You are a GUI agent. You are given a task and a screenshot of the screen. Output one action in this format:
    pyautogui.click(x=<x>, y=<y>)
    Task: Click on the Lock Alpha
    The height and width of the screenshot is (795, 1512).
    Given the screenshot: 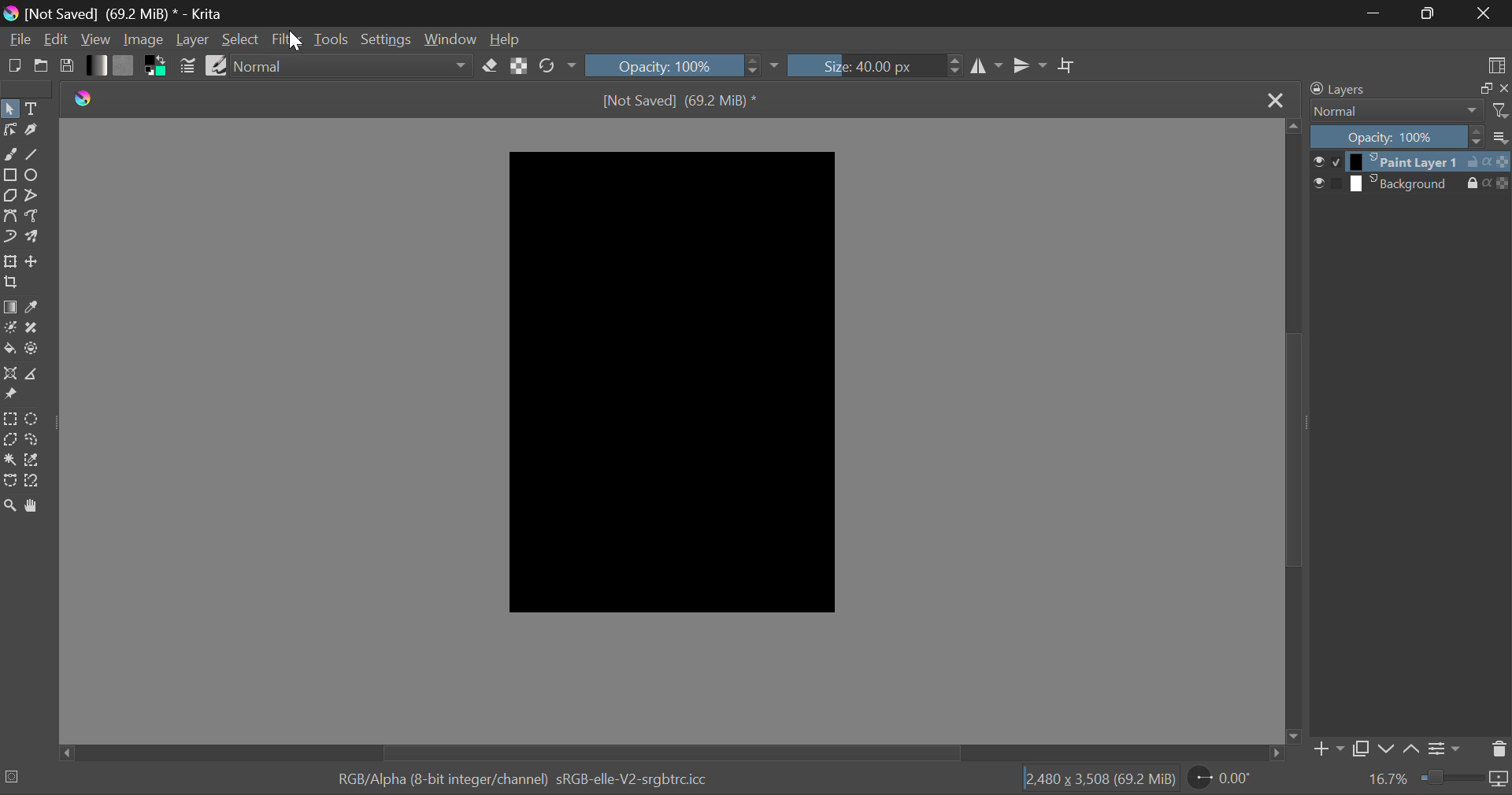 What is the action you would take?
    pyautogui.click(x=519, y=65)
    